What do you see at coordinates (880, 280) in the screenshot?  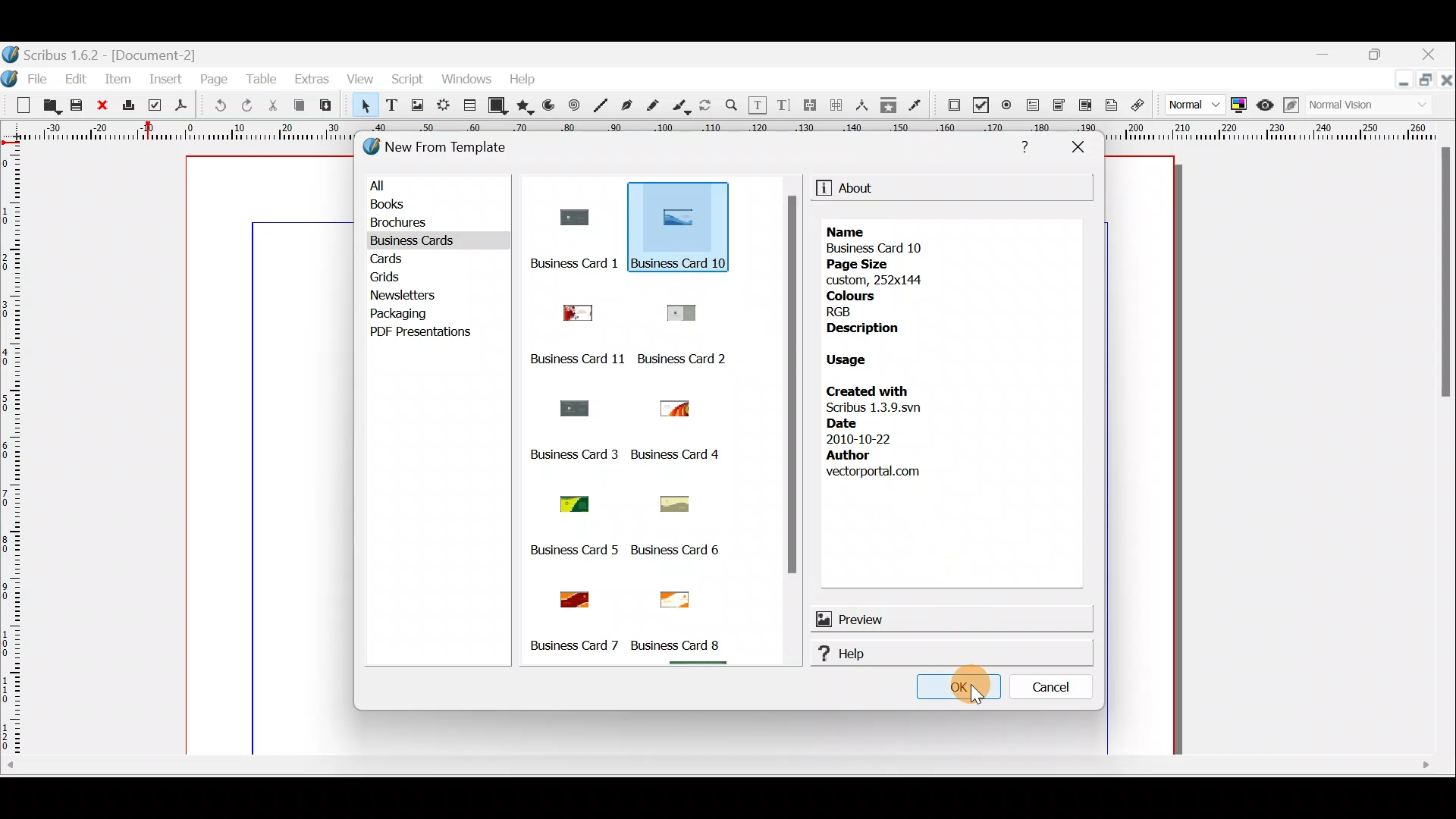 I see `custom, 252x144` at bounding box center [880, 280].